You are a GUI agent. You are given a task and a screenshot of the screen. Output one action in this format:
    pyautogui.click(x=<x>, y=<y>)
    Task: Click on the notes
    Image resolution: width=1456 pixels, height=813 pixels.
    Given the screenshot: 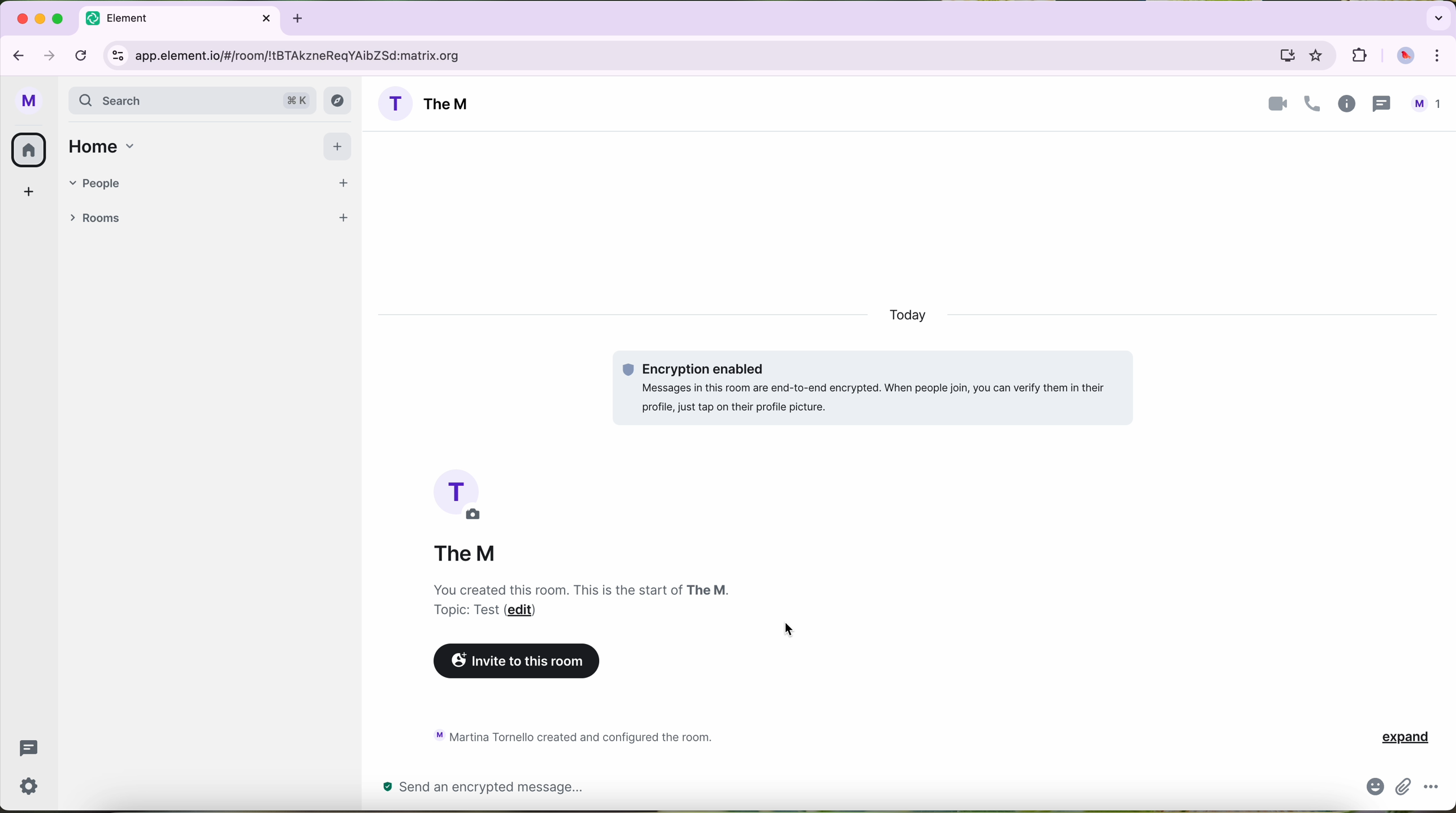 What is the action you would take?
    pyautogui.click(x=580, y=600)
    